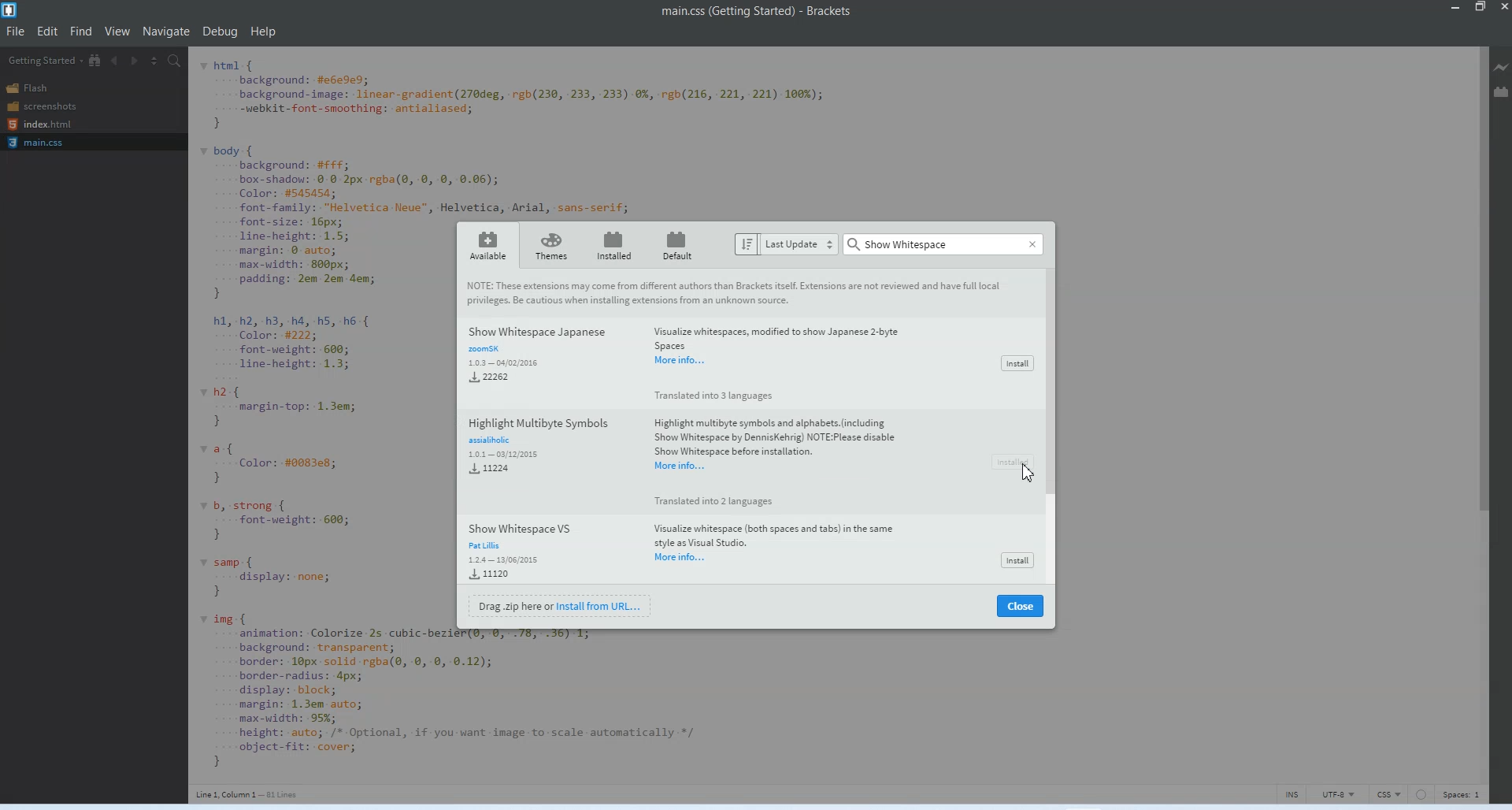  What do you see at coordinates (1015, 361) in the screenshot?
I see `Install` at bounding box center [1015, 361].